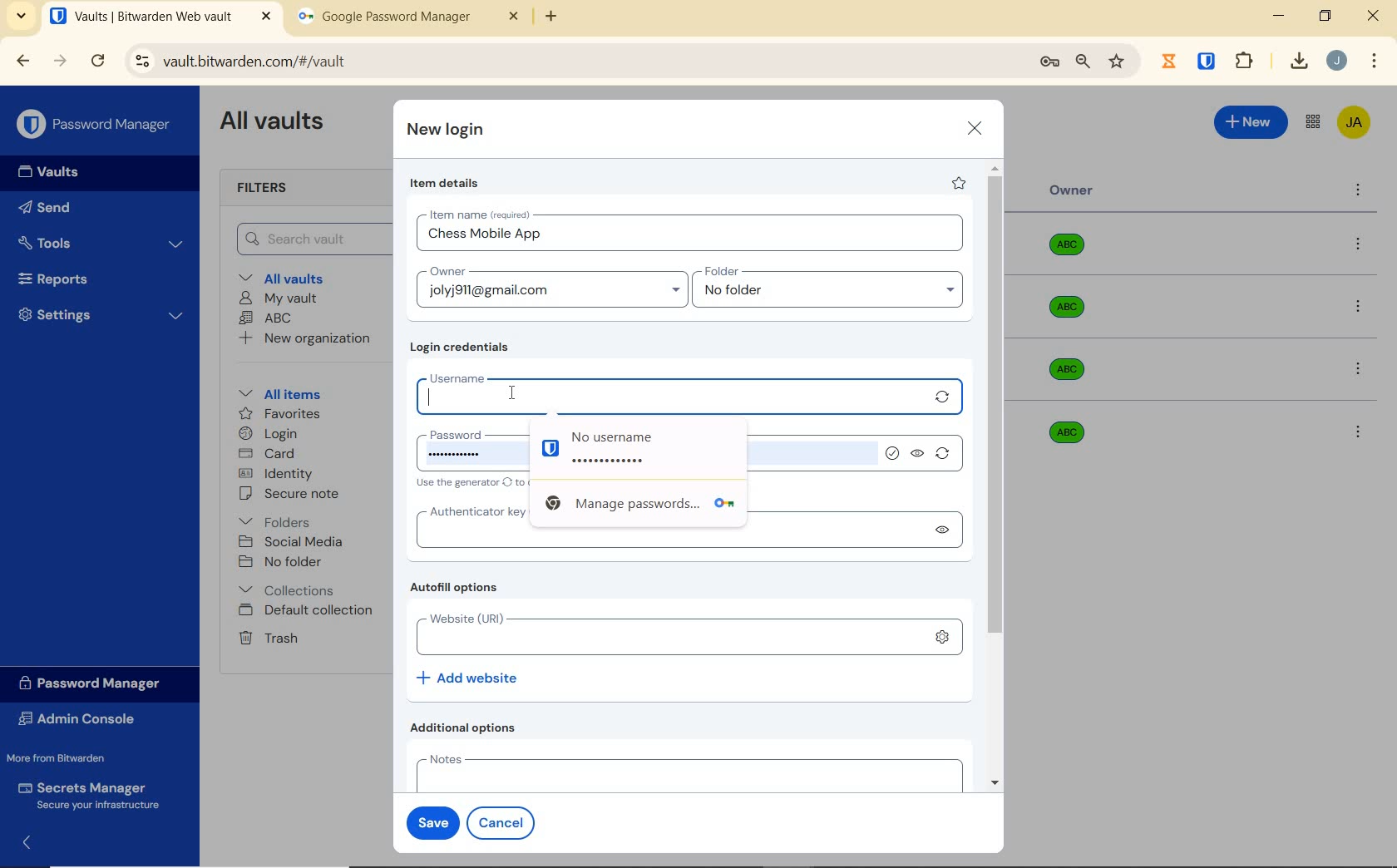 Image resolution: width=1397 pixels, height=868 pixels. What do you see at coordinates (1072, 190) in the screenshot?
I see `Owner` at bounding box center [1072, 190].